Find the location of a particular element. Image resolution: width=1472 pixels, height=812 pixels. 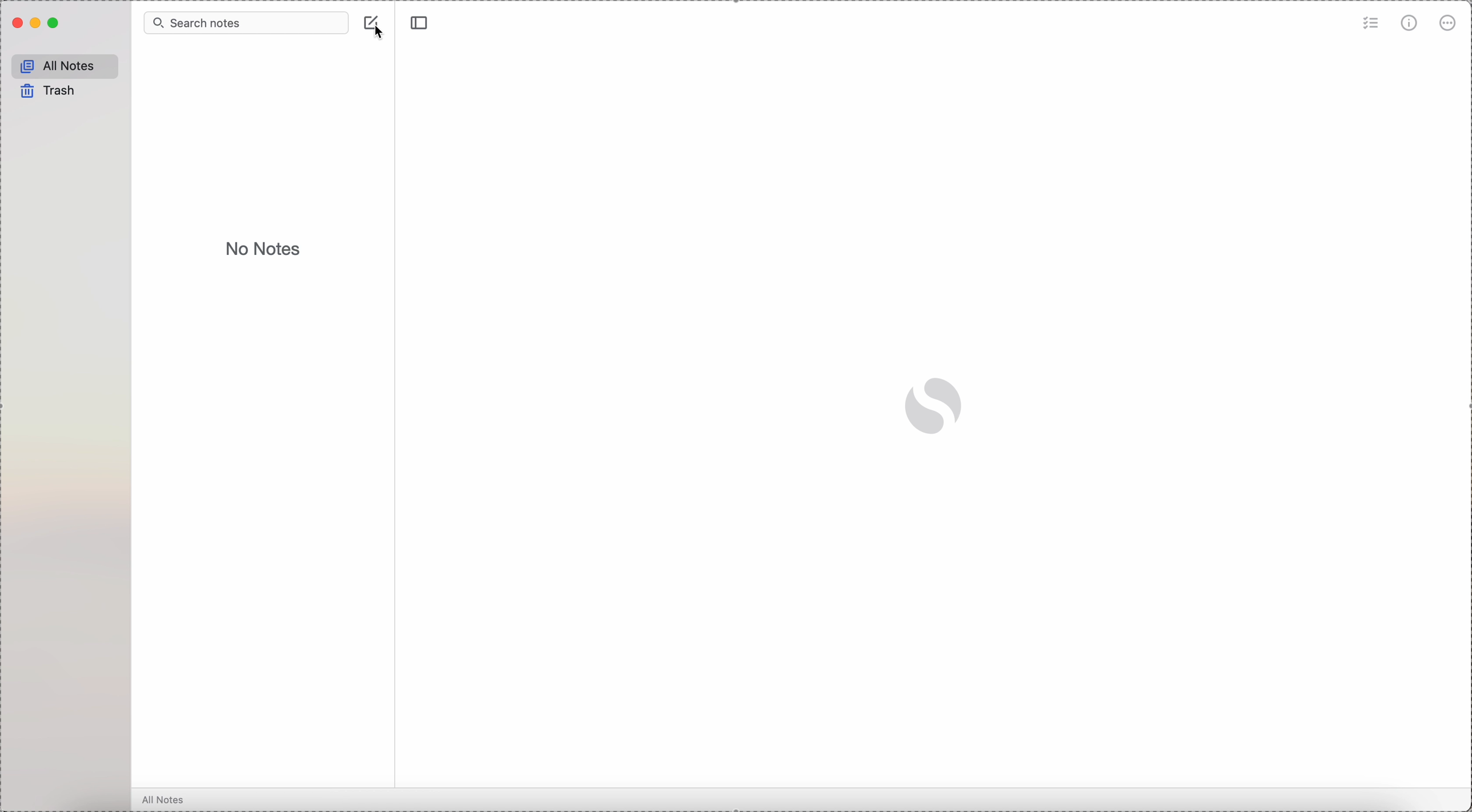

trash is located at coordinates (51, 92).